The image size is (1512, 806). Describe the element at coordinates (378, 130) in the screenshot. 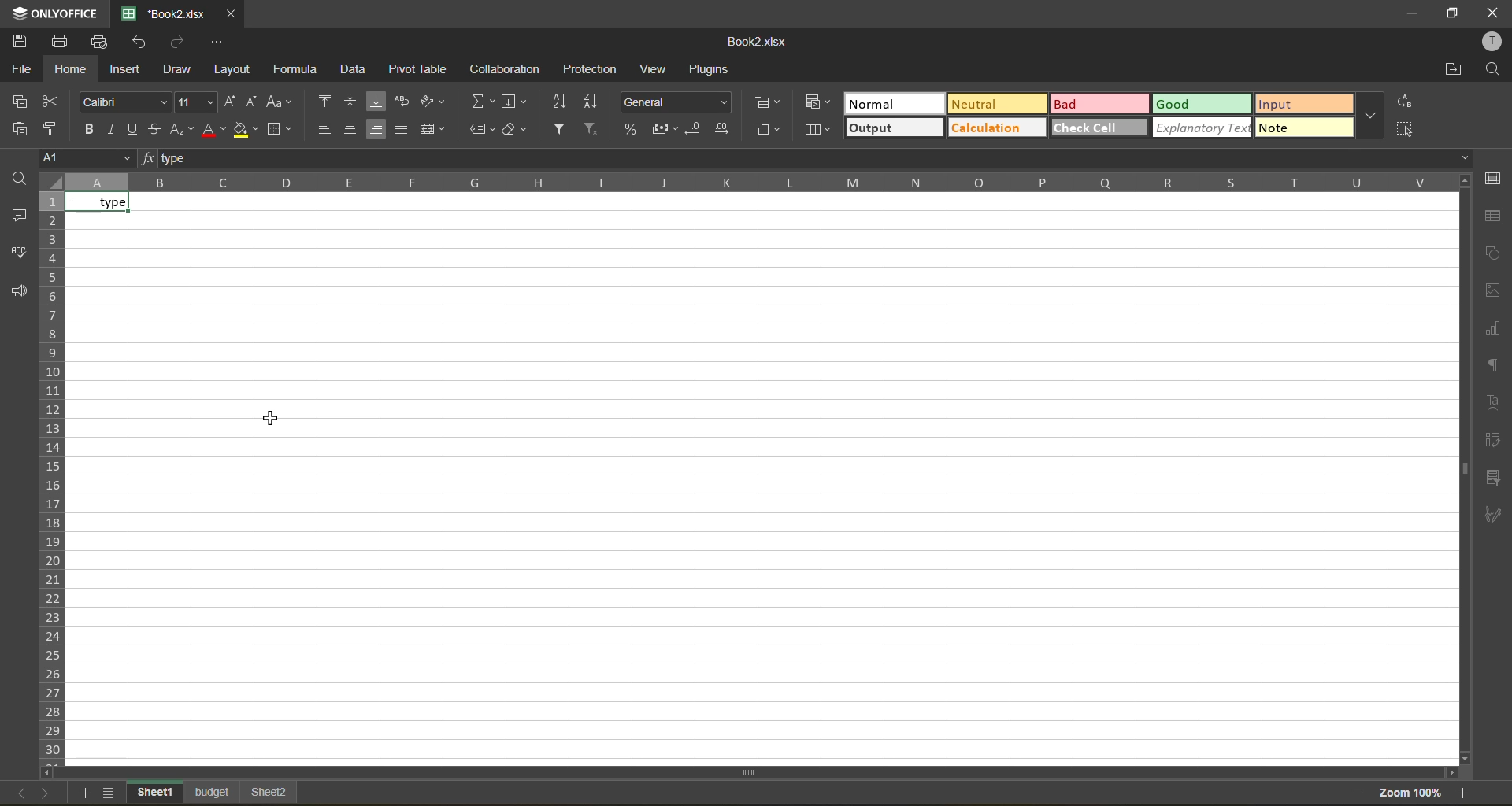

I see `align right enabled` at that location.